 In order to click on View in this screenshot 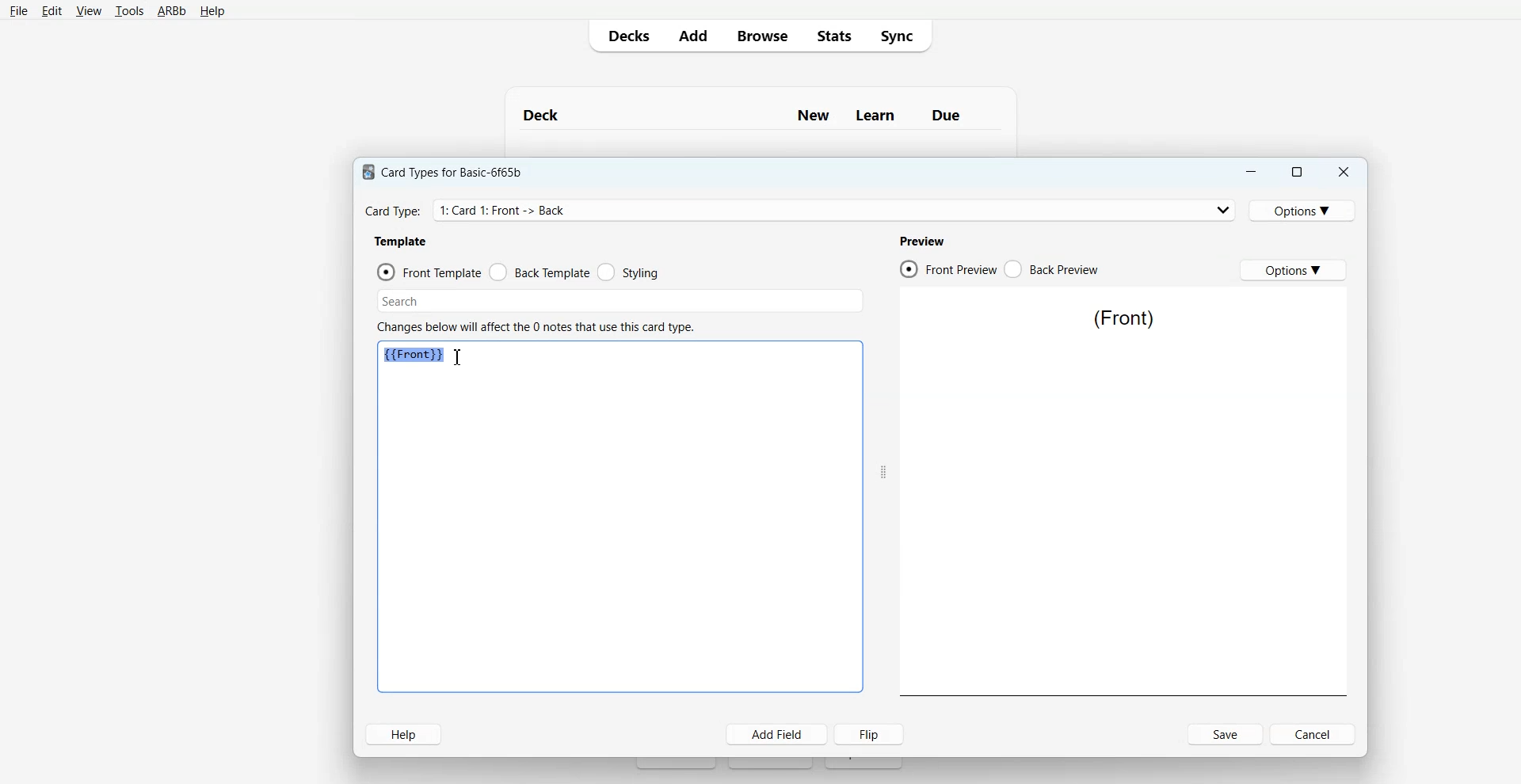, I will do `click(87, 10)`.